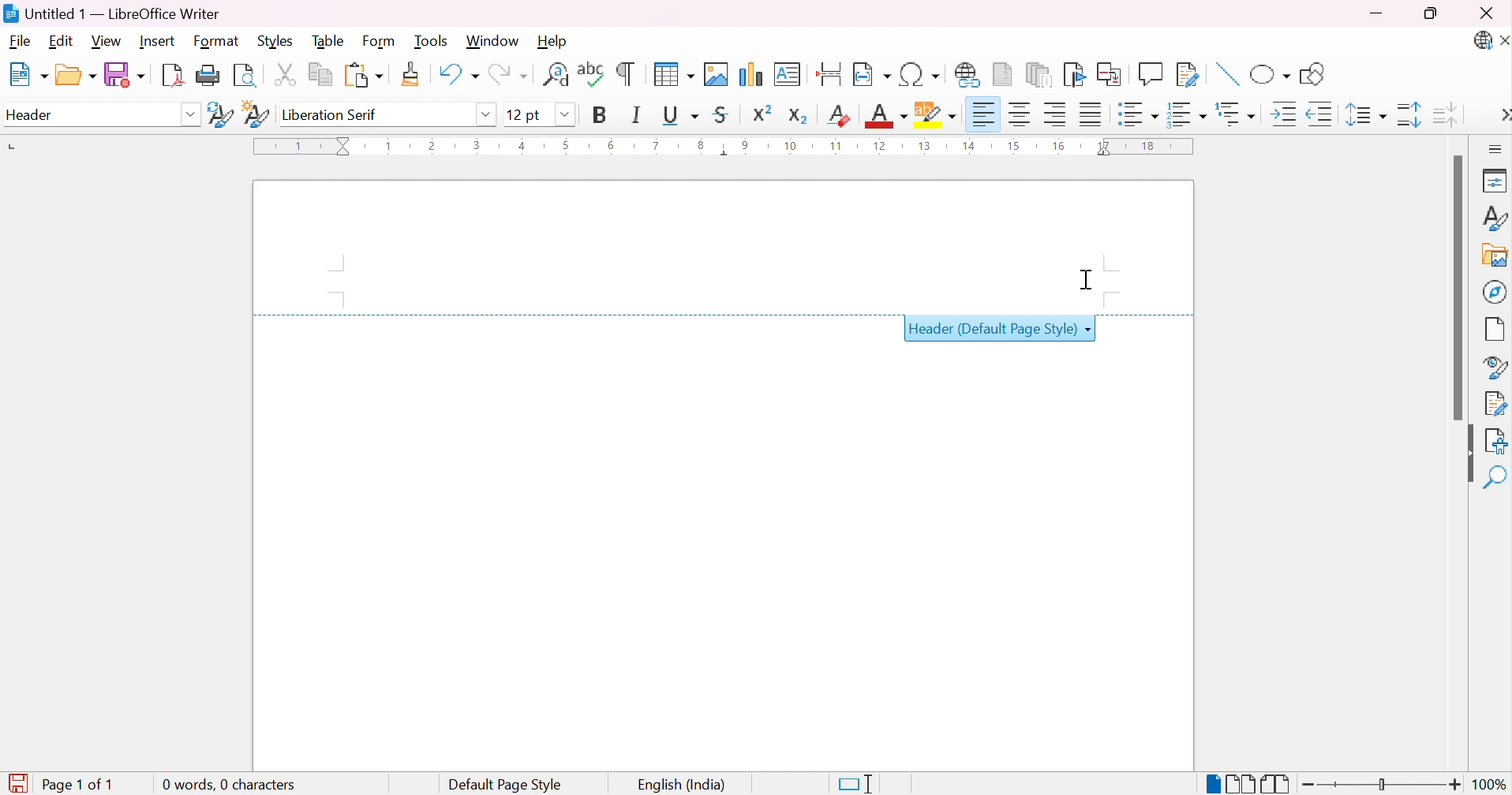  Describe the element at coordinates (680, 115) in the screenshot. I see `Underline` at that location.